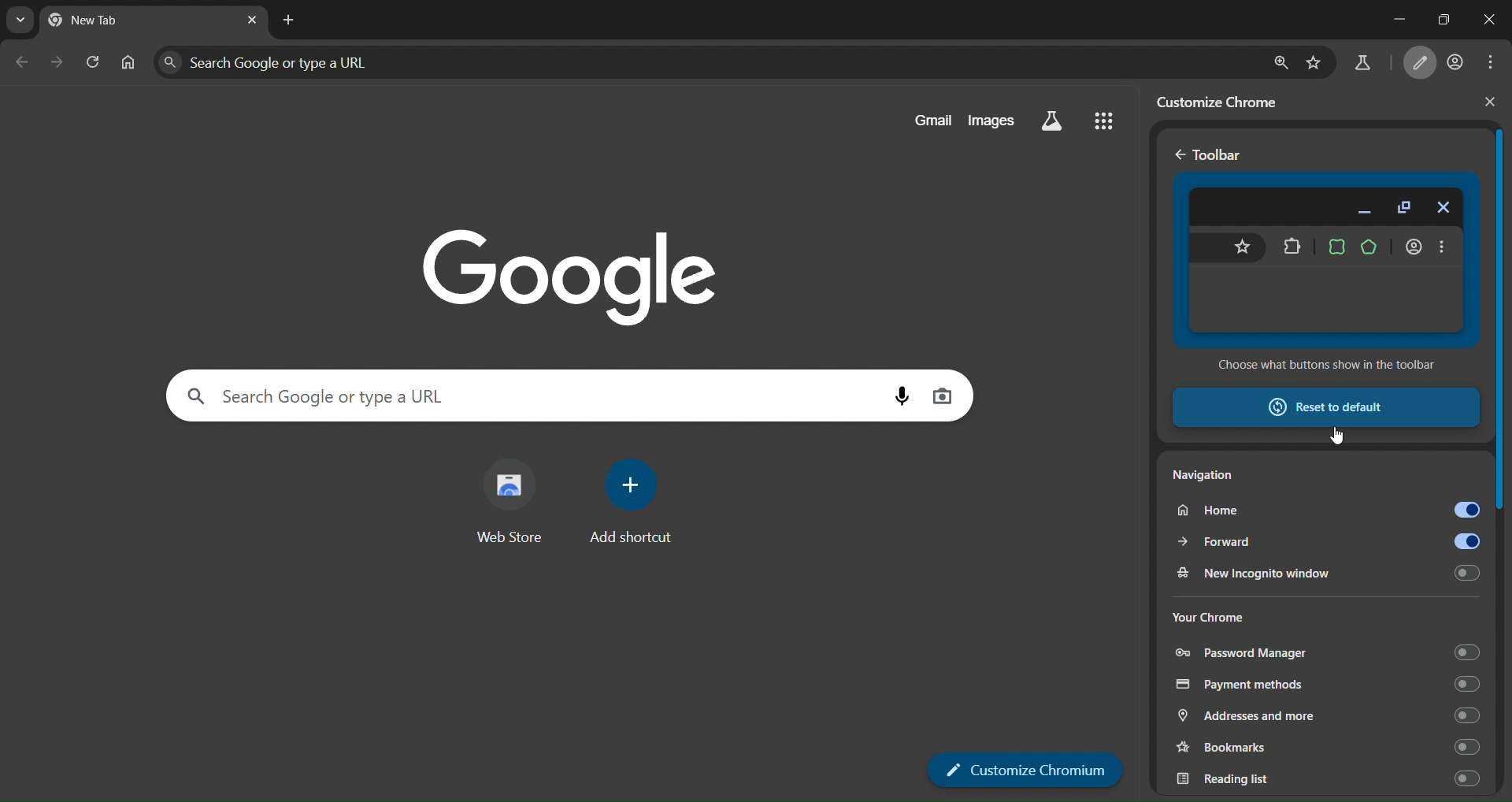  What do you see at coordinates (1322, 652) in the screenshot?
I see `password manager` at bounding box center [1322, 652].